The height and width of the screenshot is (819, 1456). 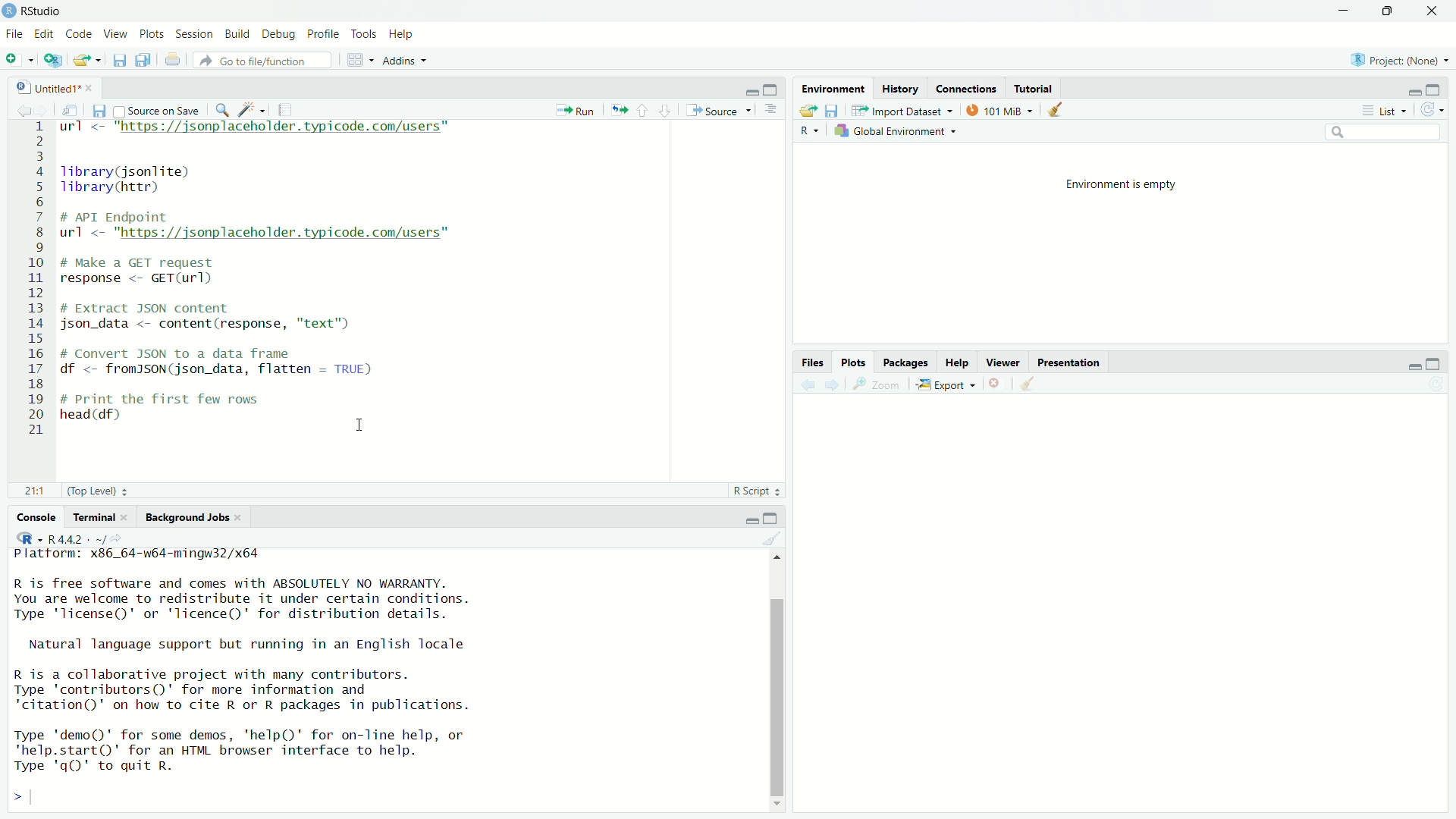 I want to click on Print, so click(x=174, y=60).